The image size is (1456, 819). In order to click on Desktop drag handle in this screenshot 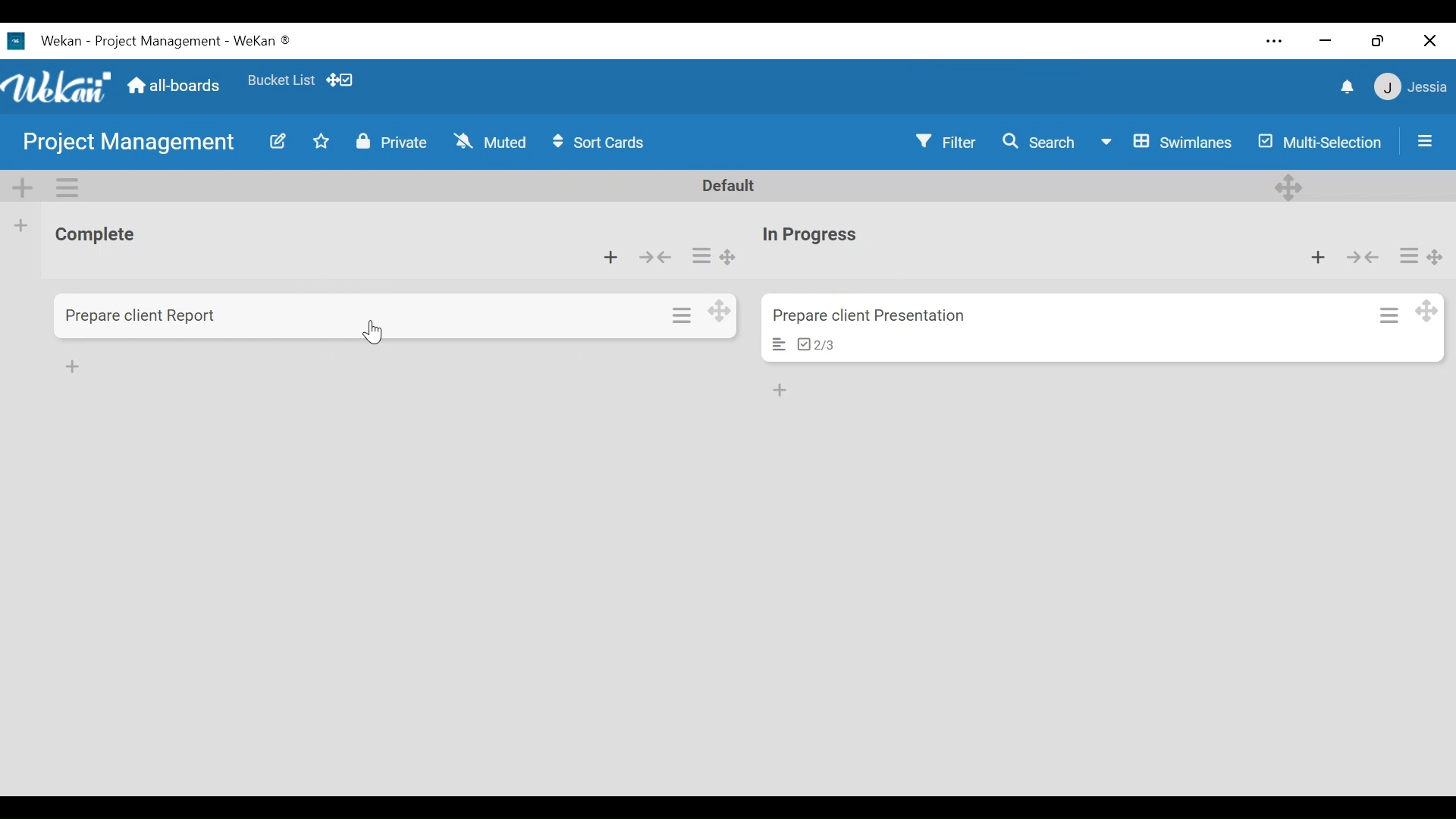, I will do `click(1427, 309)`.